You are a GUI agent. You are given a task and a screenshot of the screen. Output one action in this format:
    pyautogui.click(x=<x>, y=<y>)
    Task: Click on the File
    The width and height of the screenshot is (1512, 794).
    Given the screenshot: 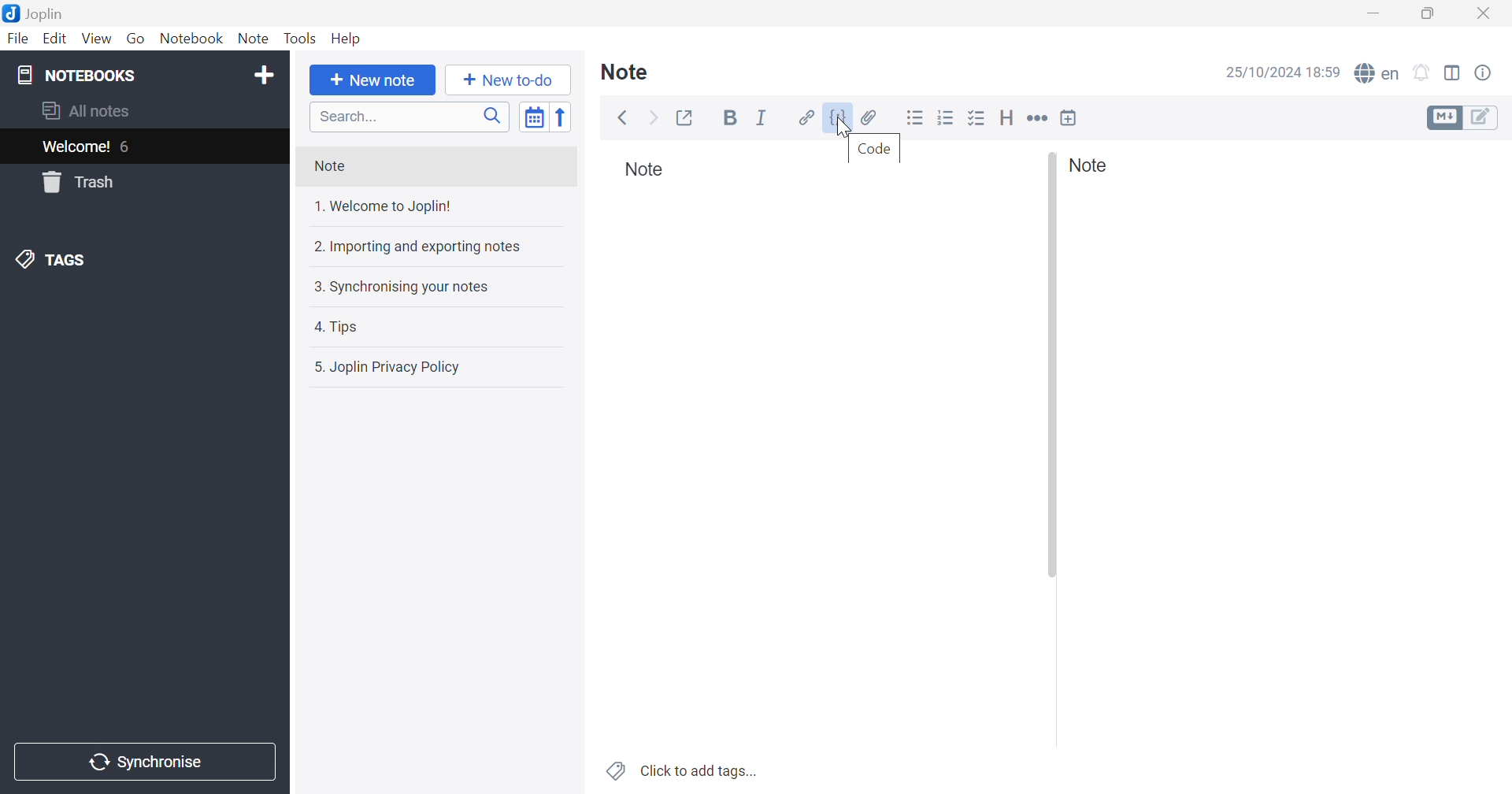 What is the action you would take?
    pyautogui.click(x=18, y=40)
    